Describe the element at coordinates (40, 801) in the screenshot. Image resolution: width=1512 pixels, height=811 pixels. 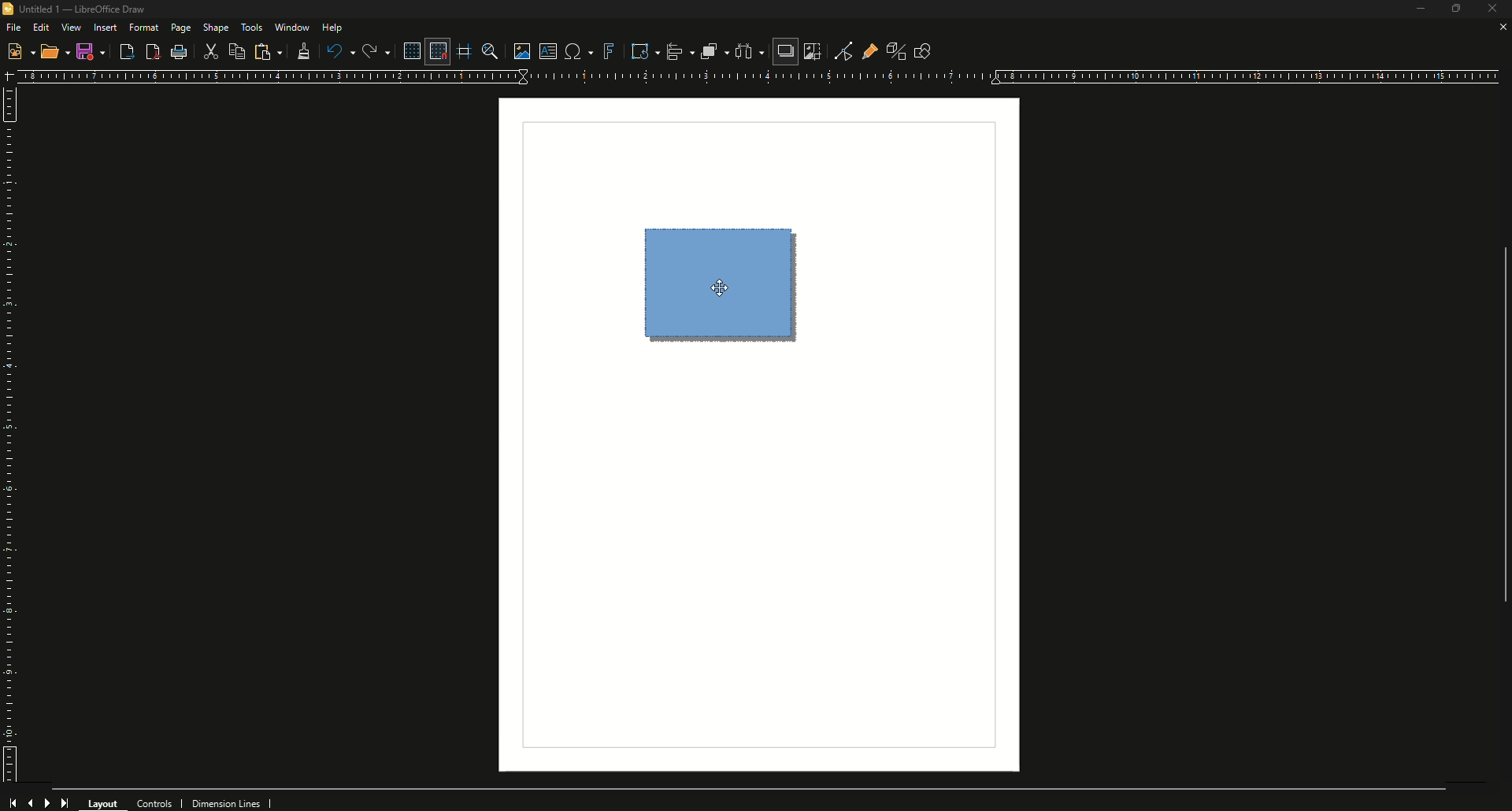
I see `forward and backward button` at that location.